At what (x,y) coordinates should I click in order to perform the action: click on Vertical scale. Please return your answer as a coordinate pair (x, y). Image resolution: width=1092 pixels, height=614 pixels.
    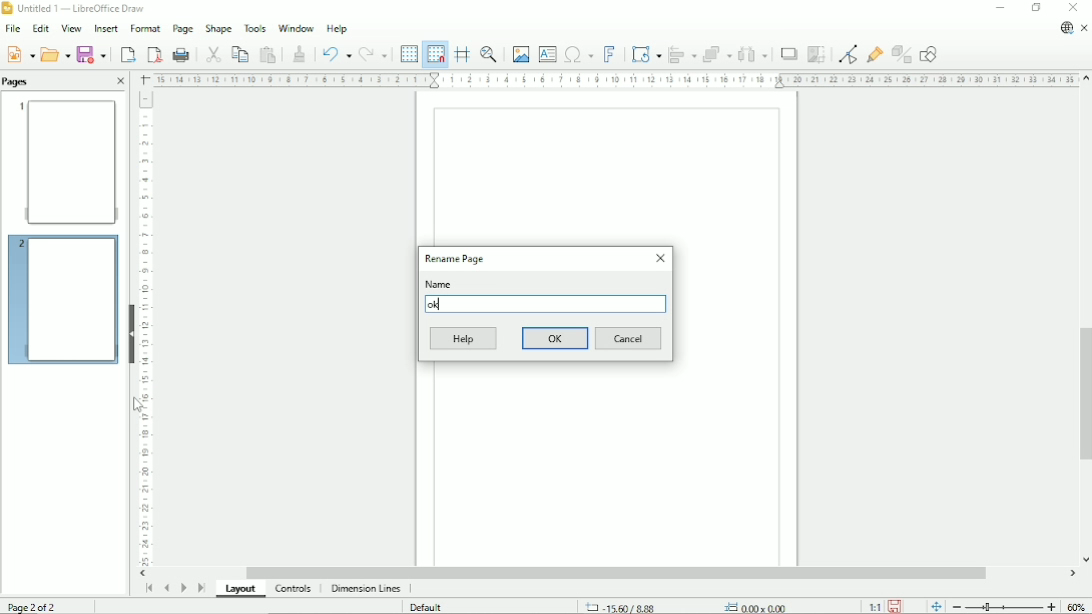
    Looking at the image, I should click on (145, 328).